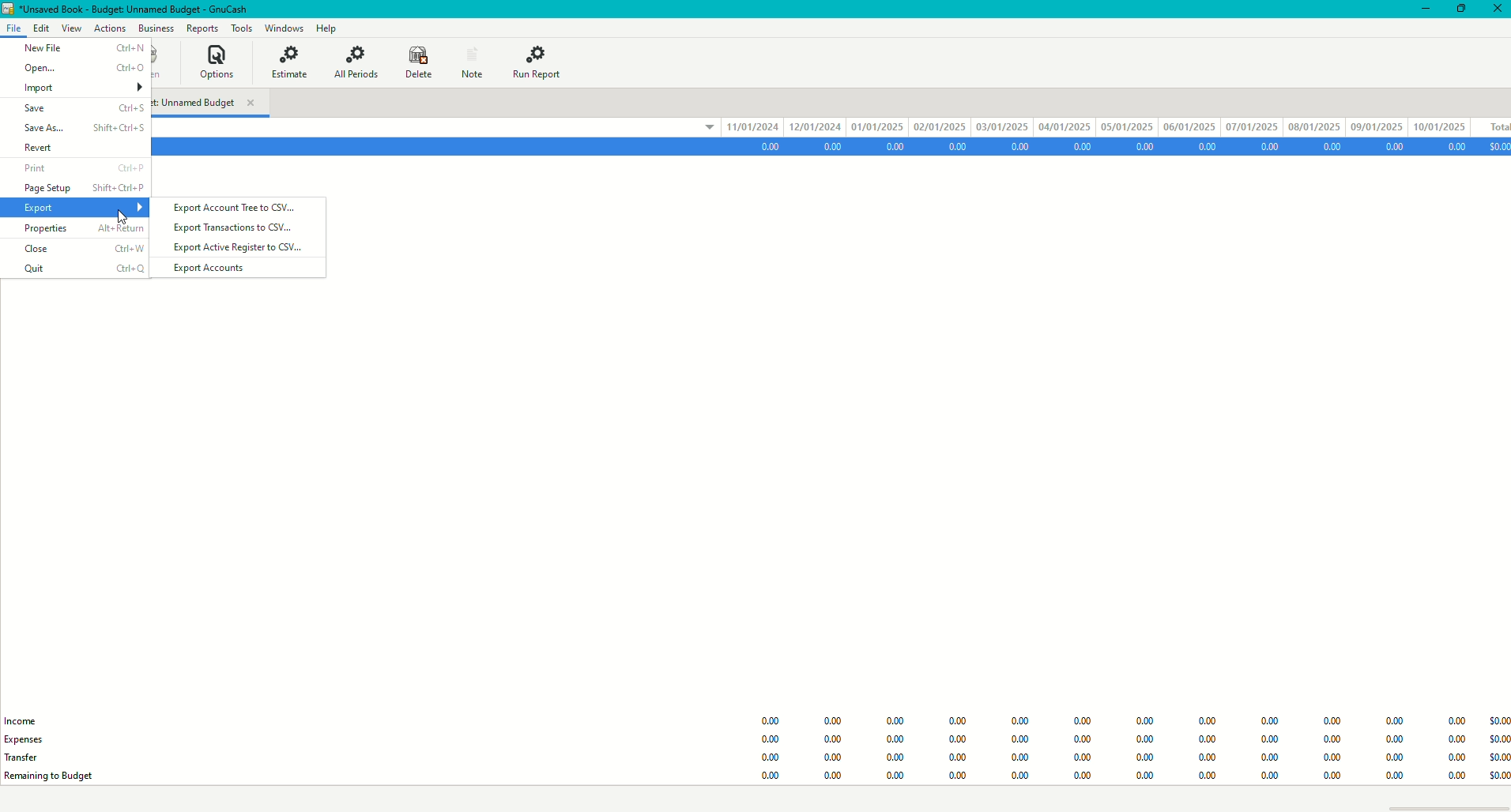 This screenshot has height=812, width=1511. Describe the element at coordinates (240, 248) in the screenshot. I see `Export Active Registrations to CSV` at that location.